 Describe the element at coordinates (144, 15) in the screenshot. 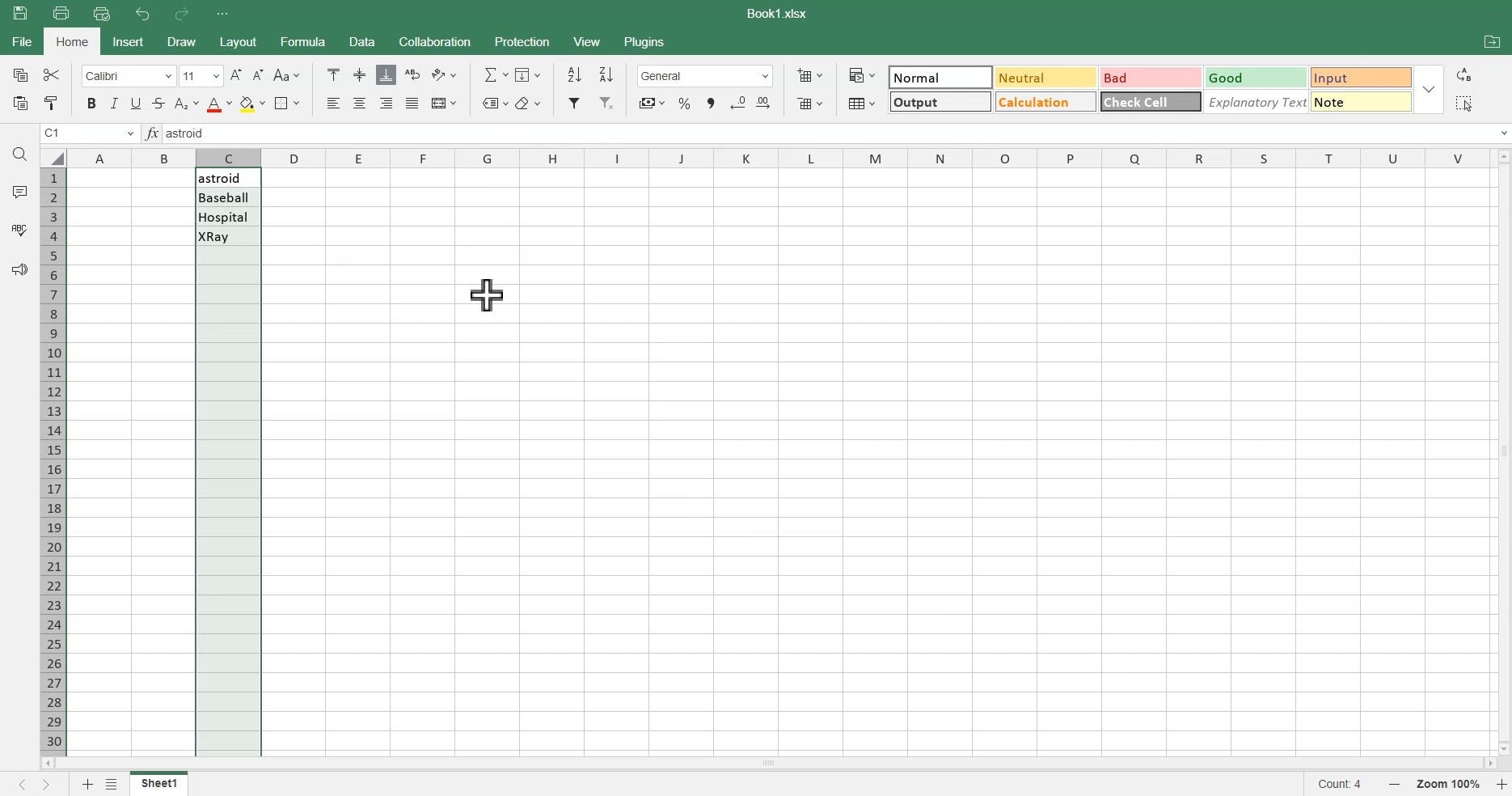

I see `Undo` at that location.